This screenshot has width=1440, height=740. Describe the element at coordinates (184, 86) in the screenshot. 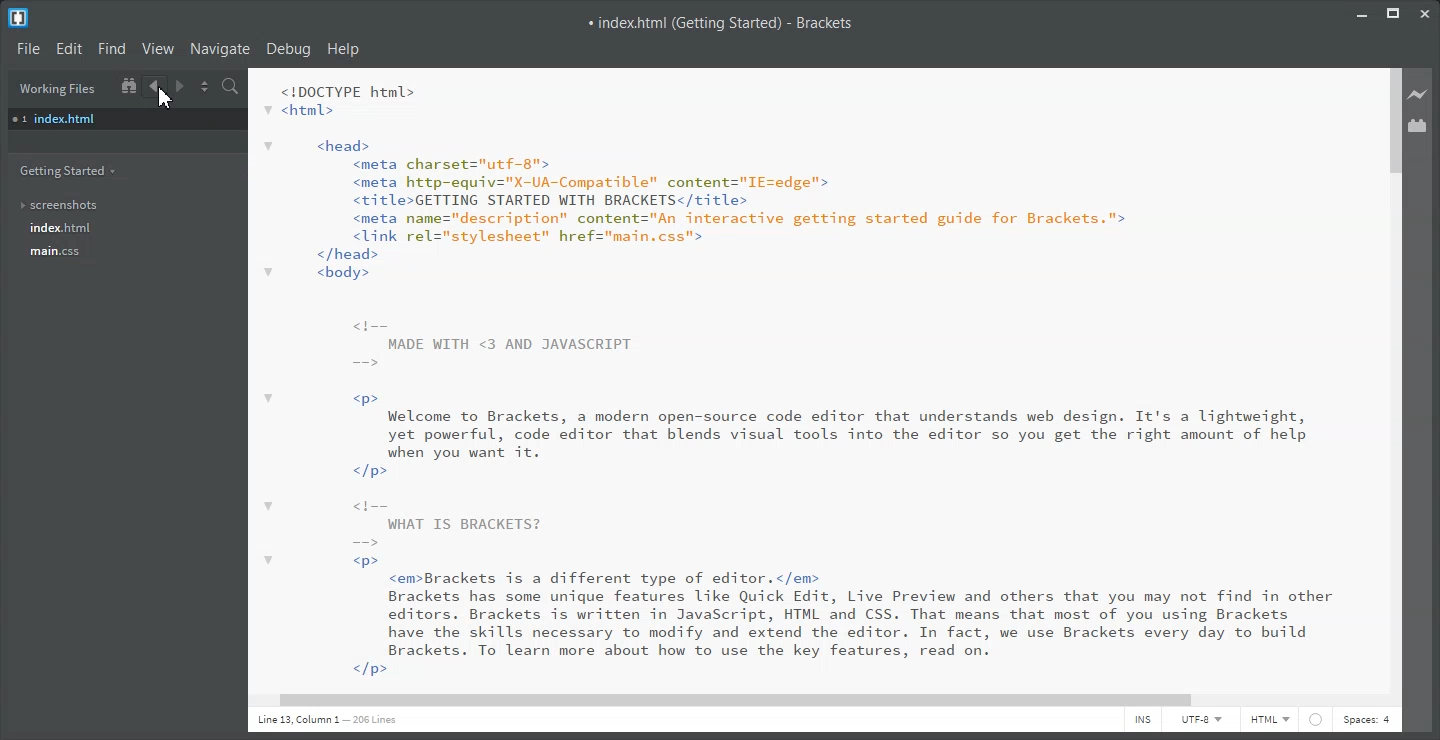

I see `Navigate Forward` at that location.